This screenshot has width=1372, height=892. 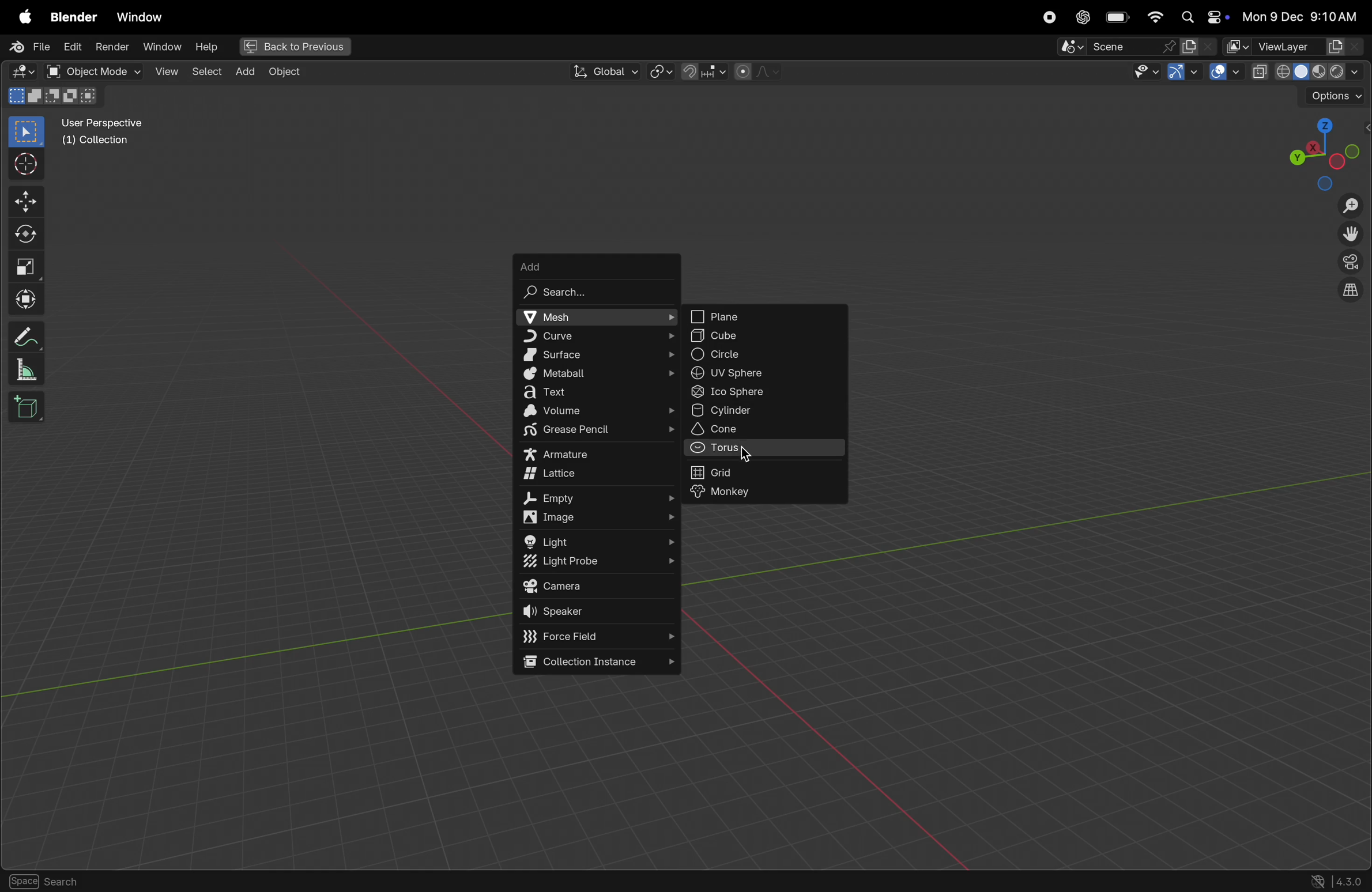 I want to click on view point camera, so click(x=1351, y=263).